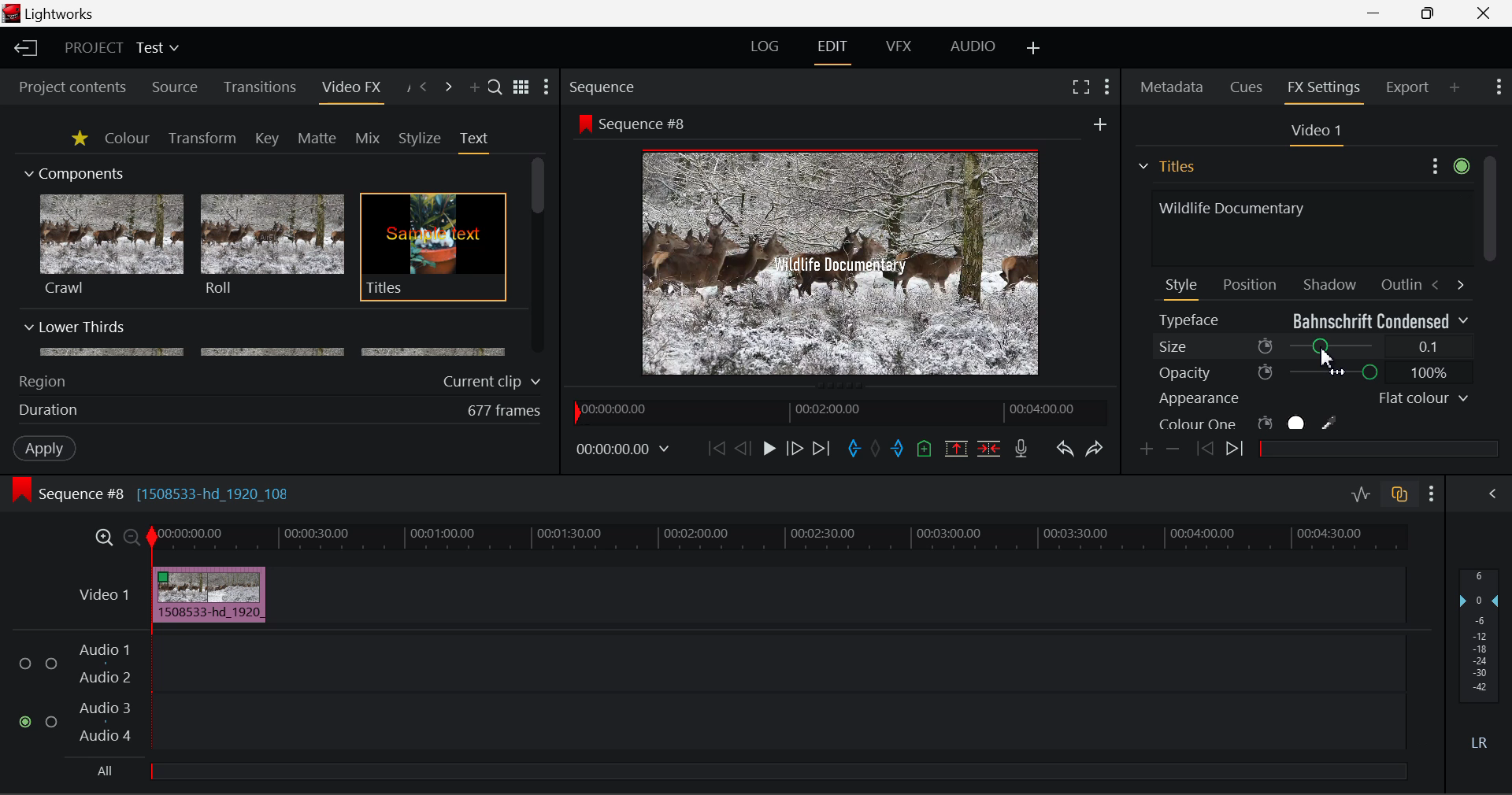 The height and width of the screenshot is (795, 1512). What do you see at coordinates (1327, 352) in the screenshot?
I see `Cursor Position` at bounding box center [1327, 352].